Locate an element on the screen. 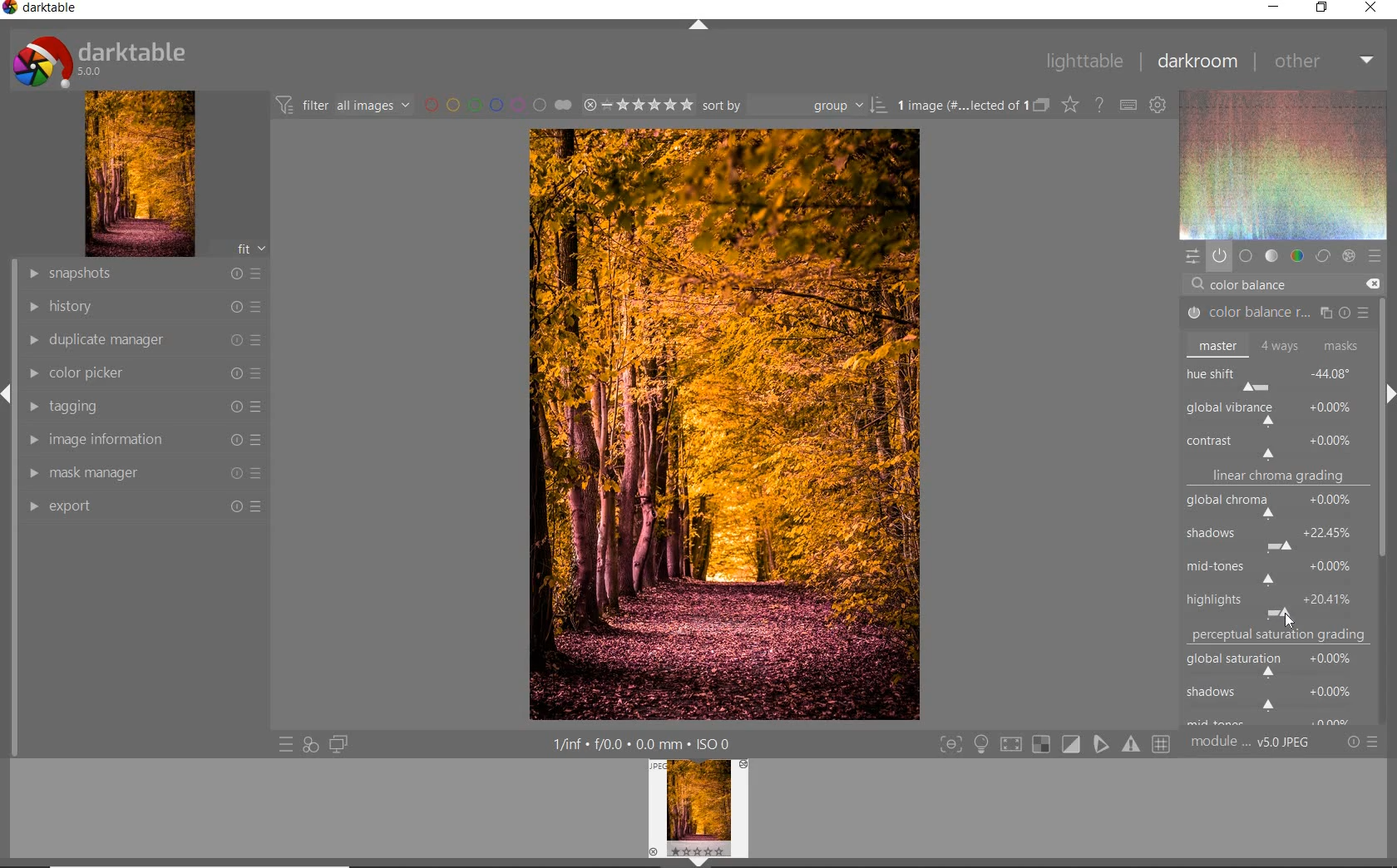 This screenshot has height=868, width=1397. minimize is located at coordinates (1275, 6).